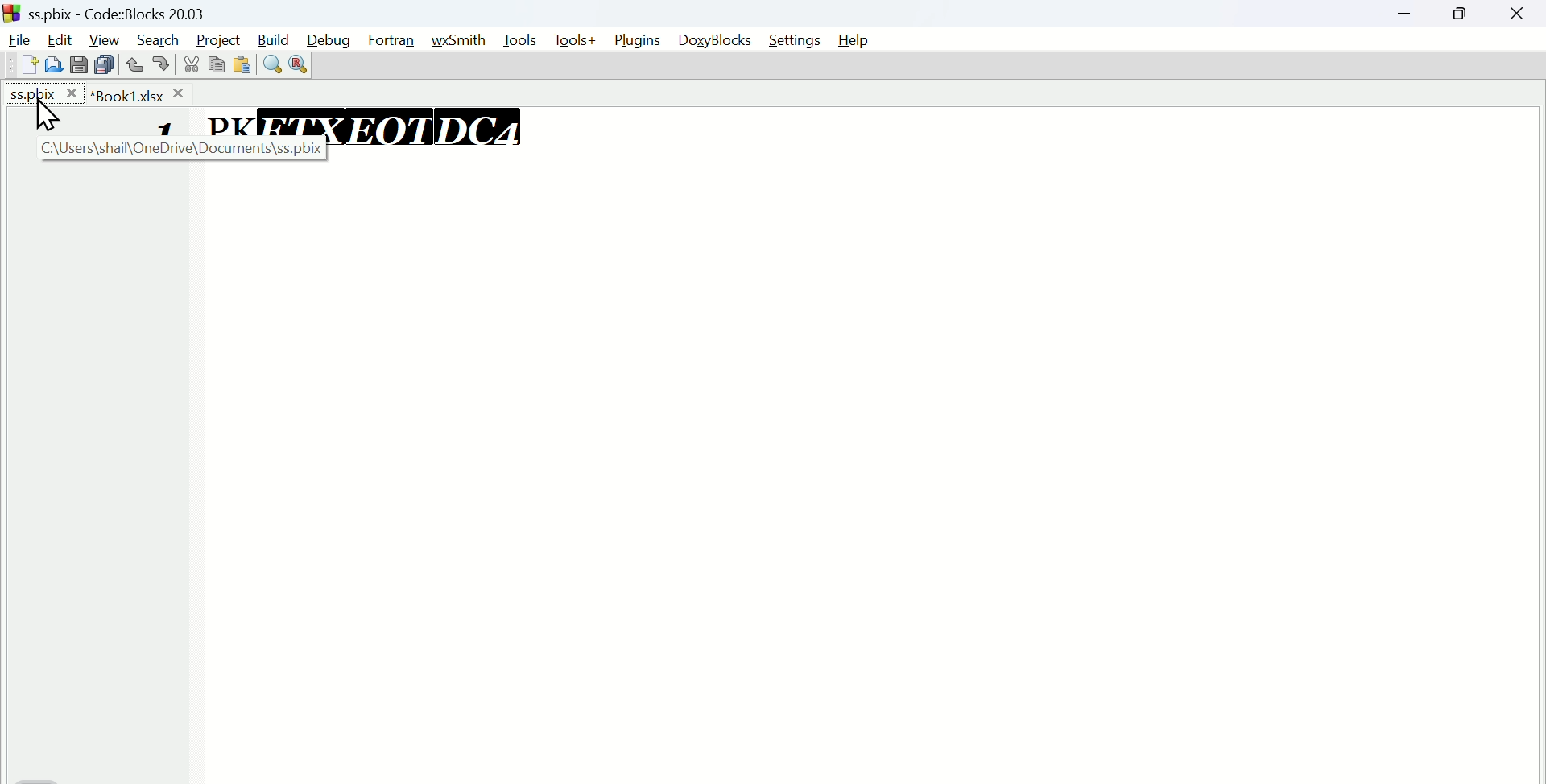 The image size is (1546, 784). Describe the element at coordinates (213, 66) in the screenshot. I see `Copy` at that location.